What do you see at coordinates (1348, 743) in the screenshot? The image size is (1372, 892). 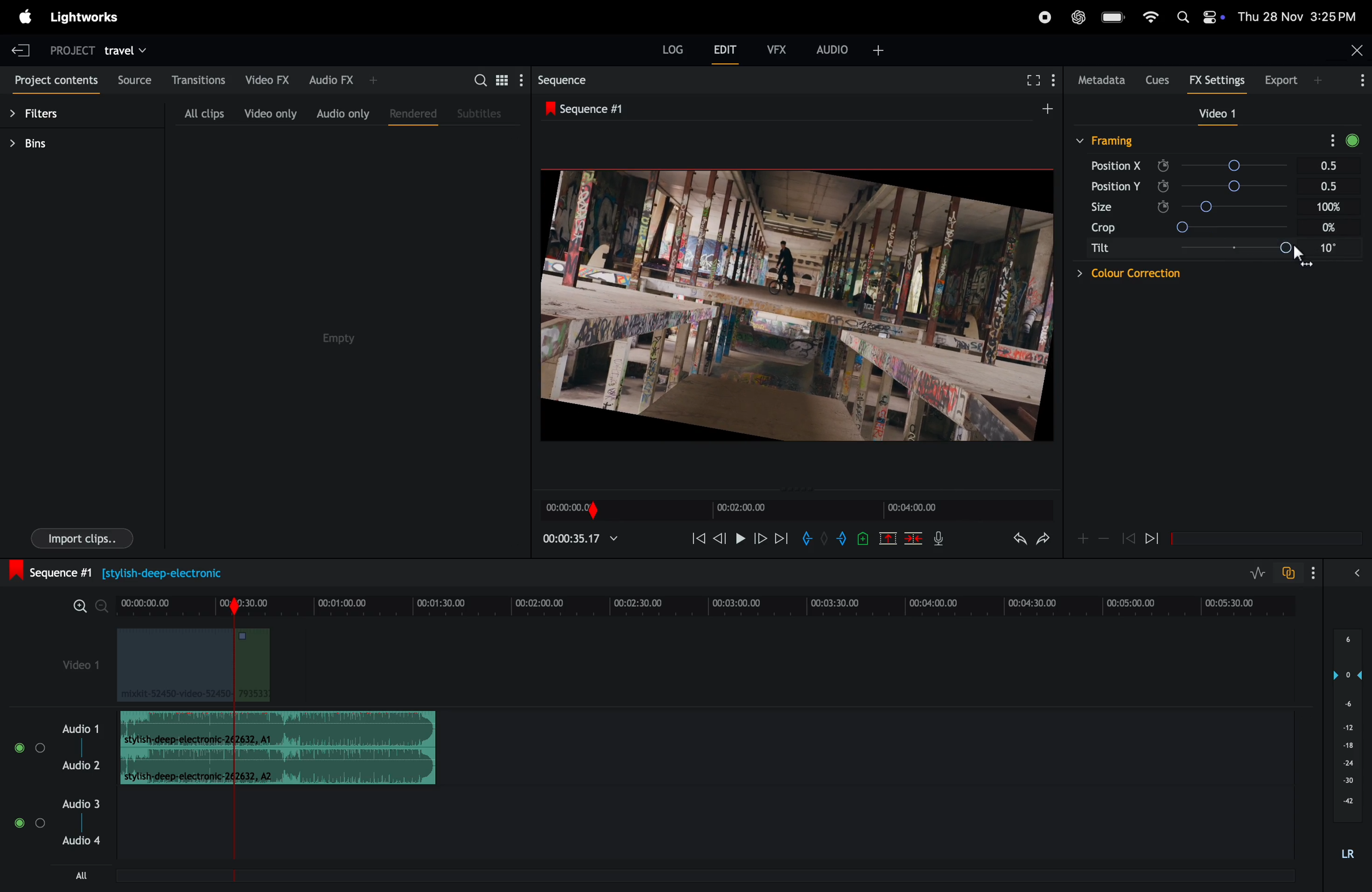 I see `audio level` at bounding box center [1348, 743].